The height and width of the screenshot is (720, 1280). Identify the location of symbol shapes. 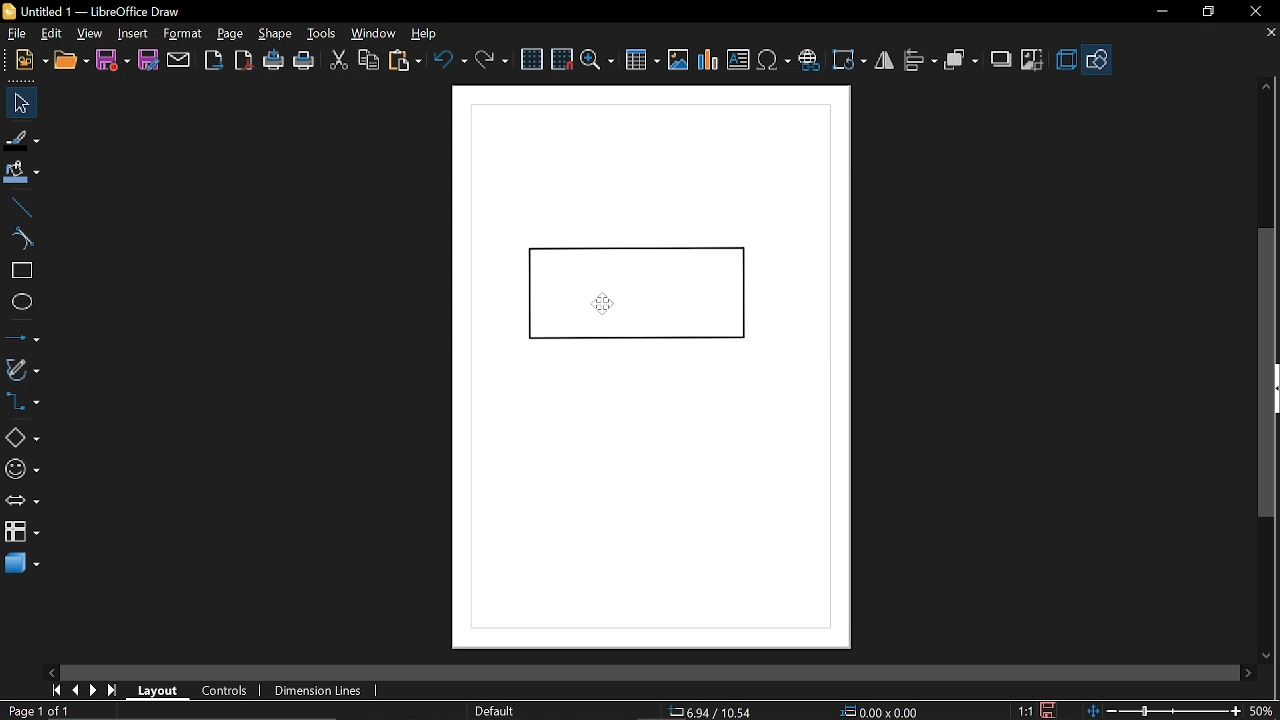
(22, 472).